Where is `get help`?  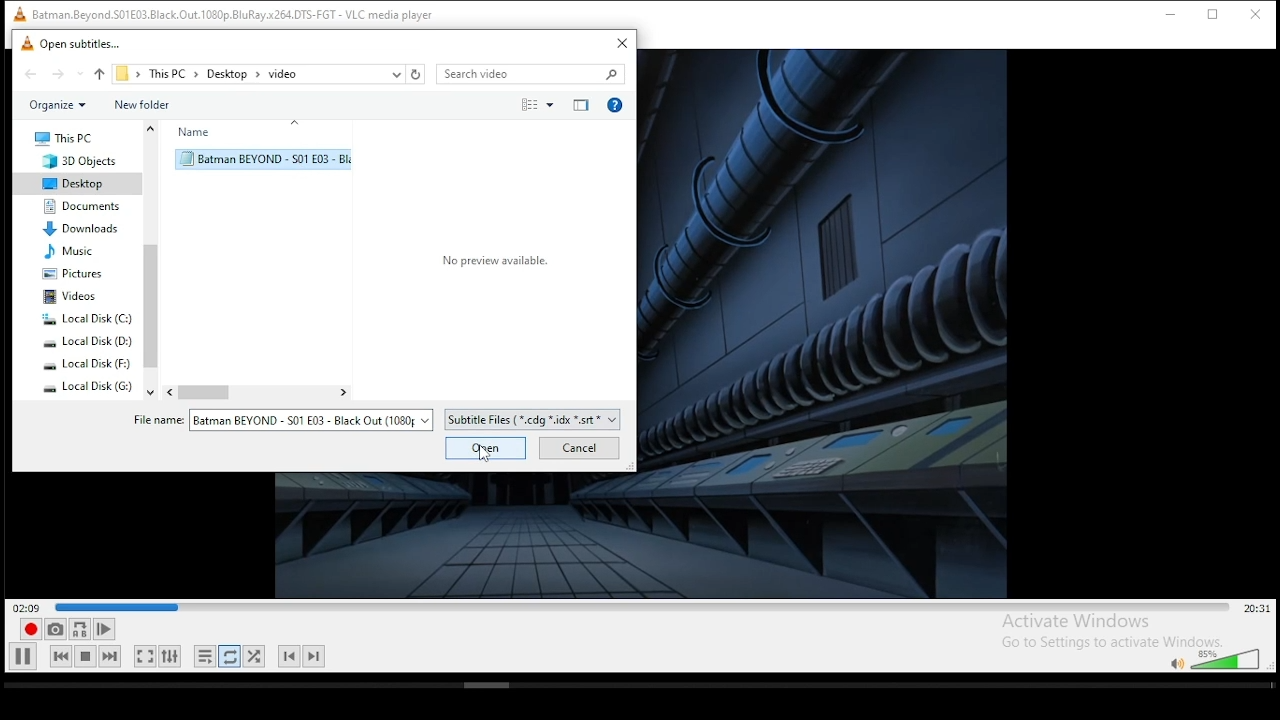
get help is located at coordinates (615, 106).